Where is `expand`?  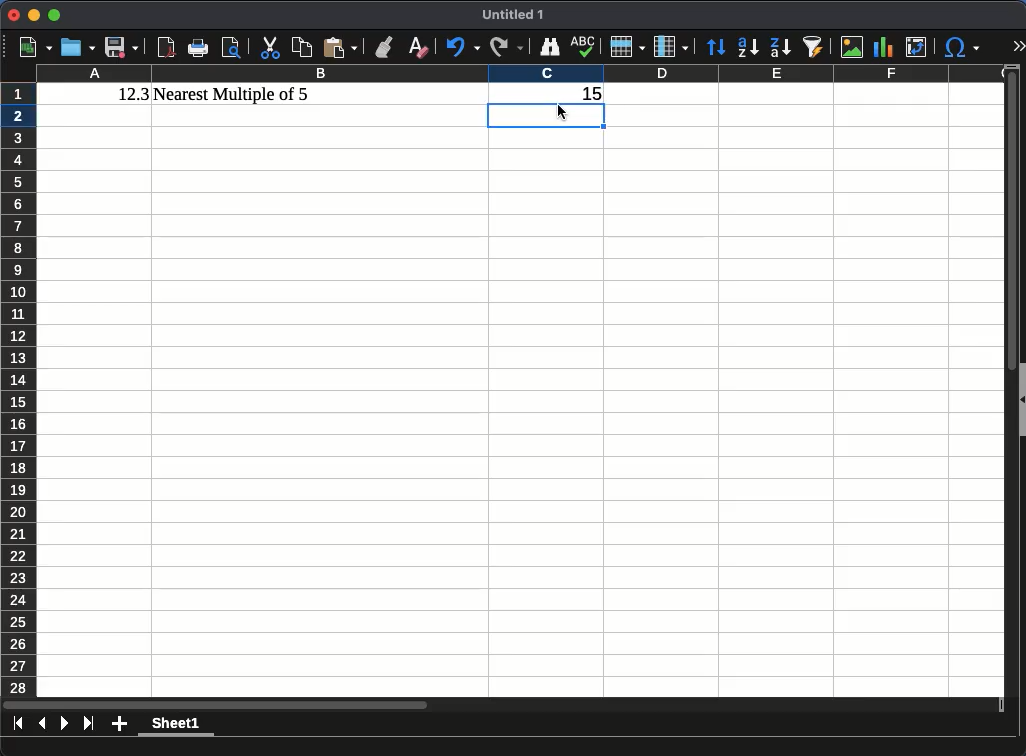 expand is located at coordinates (1018, 44).